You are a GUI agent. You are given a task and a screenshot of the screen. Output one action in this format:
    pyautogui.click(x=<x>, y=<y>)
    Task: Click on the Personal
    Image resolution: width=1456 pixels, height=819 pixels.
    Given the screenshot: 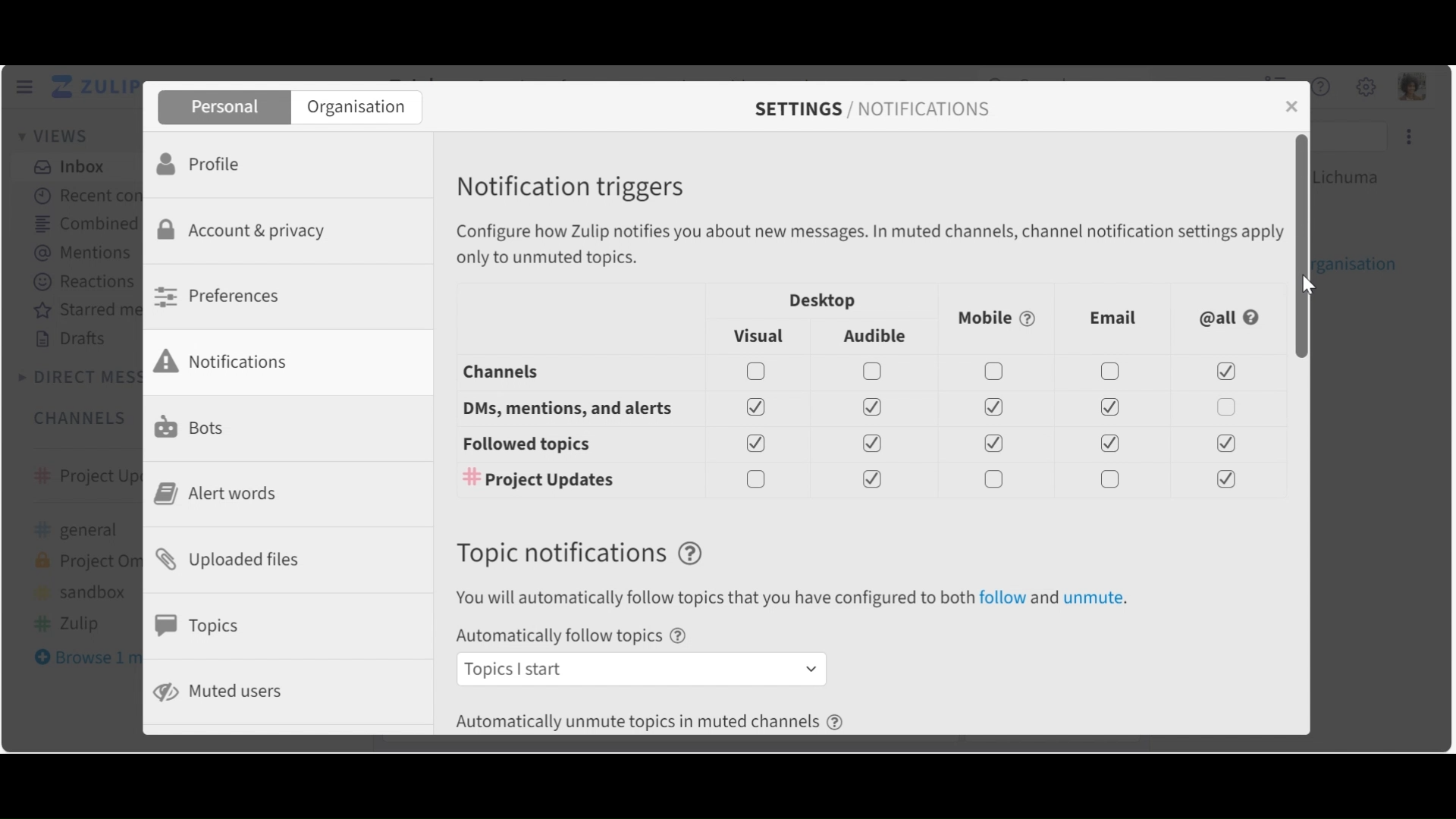 What is the action you would take?
    pyautogui.click(x=222, y=108)
    